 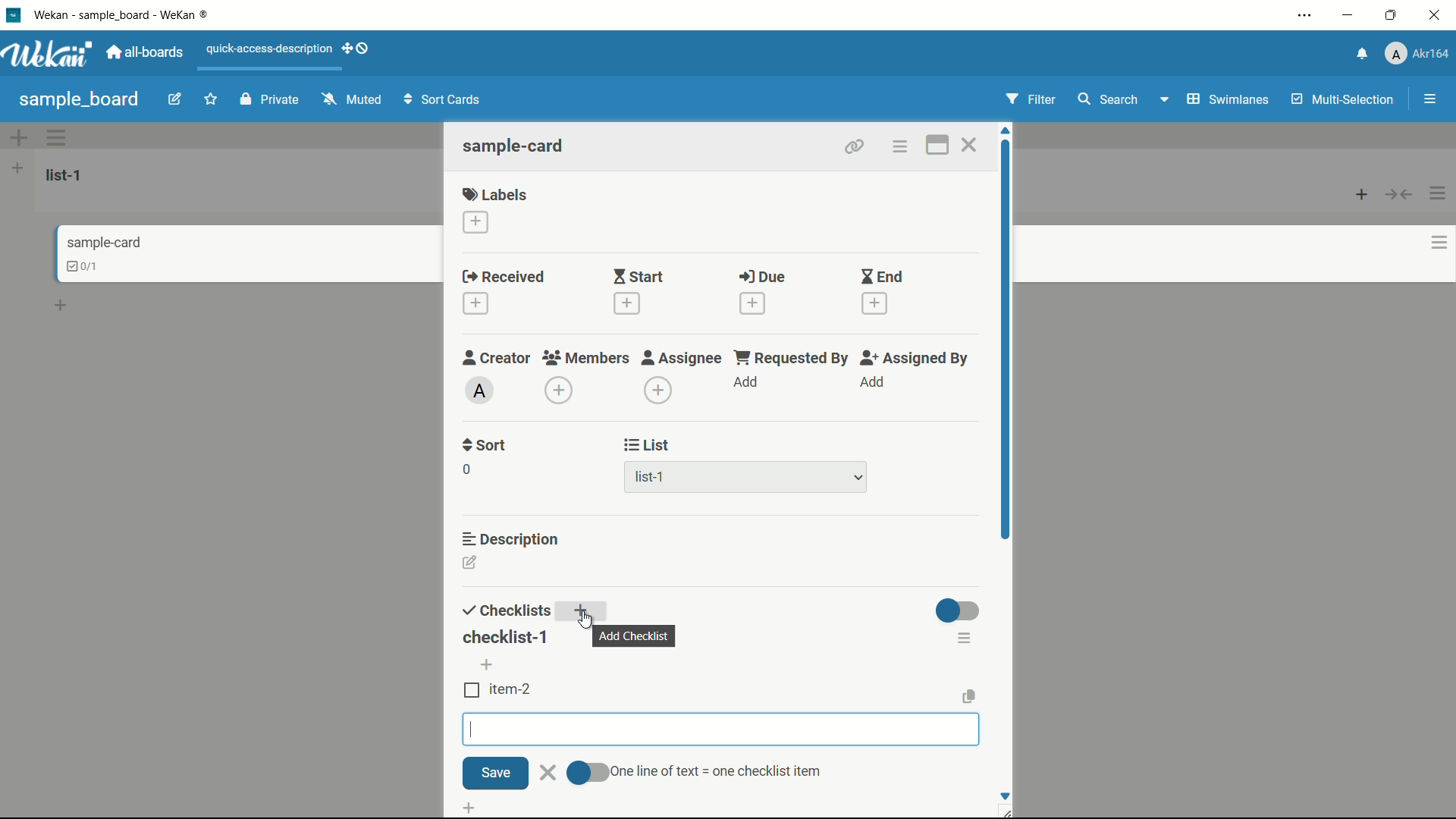 I want to click on swimlanes, so click(x=1226, y=99).